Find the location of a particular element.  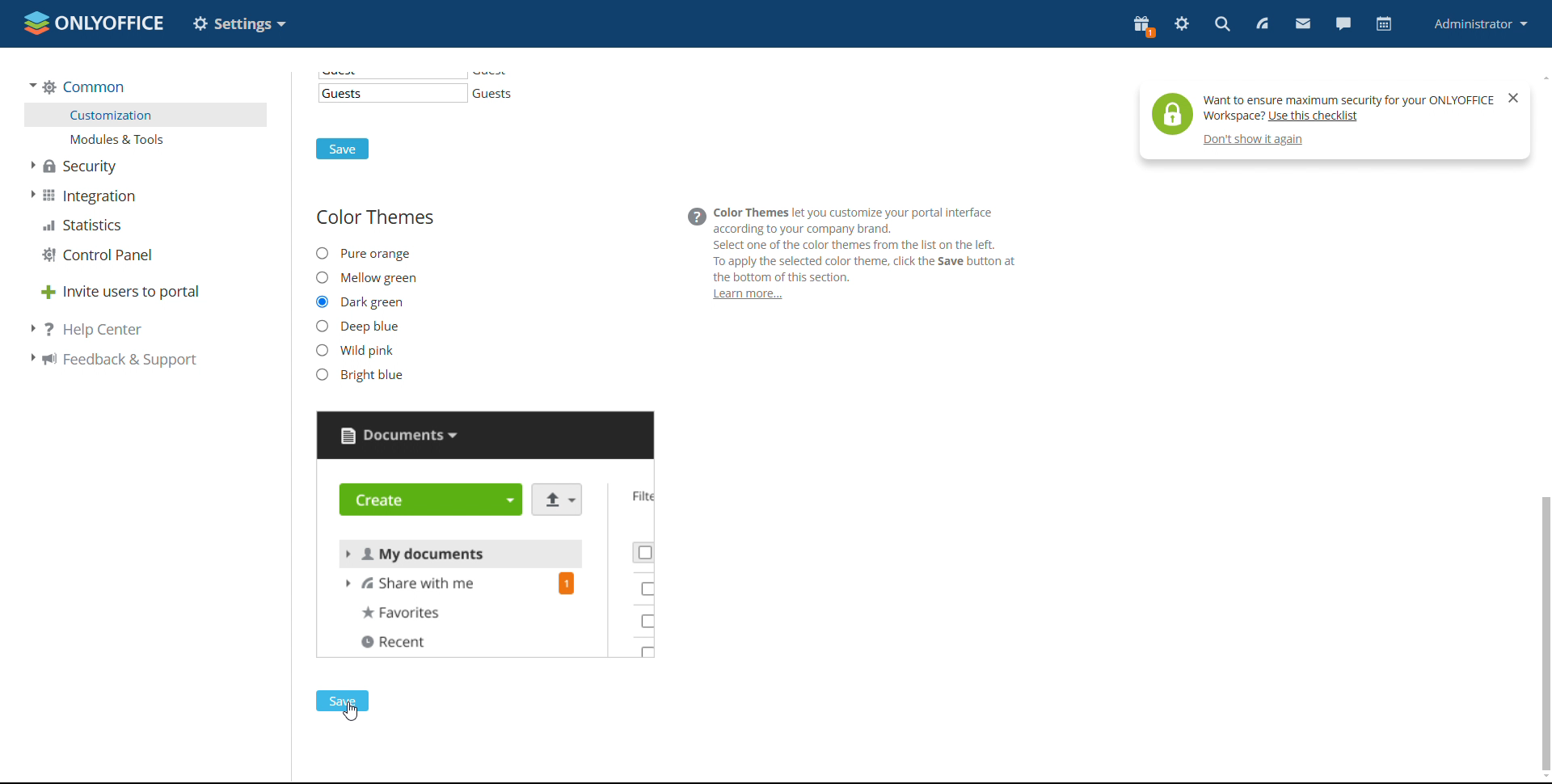

option changed is located at coordinates (239, 23).